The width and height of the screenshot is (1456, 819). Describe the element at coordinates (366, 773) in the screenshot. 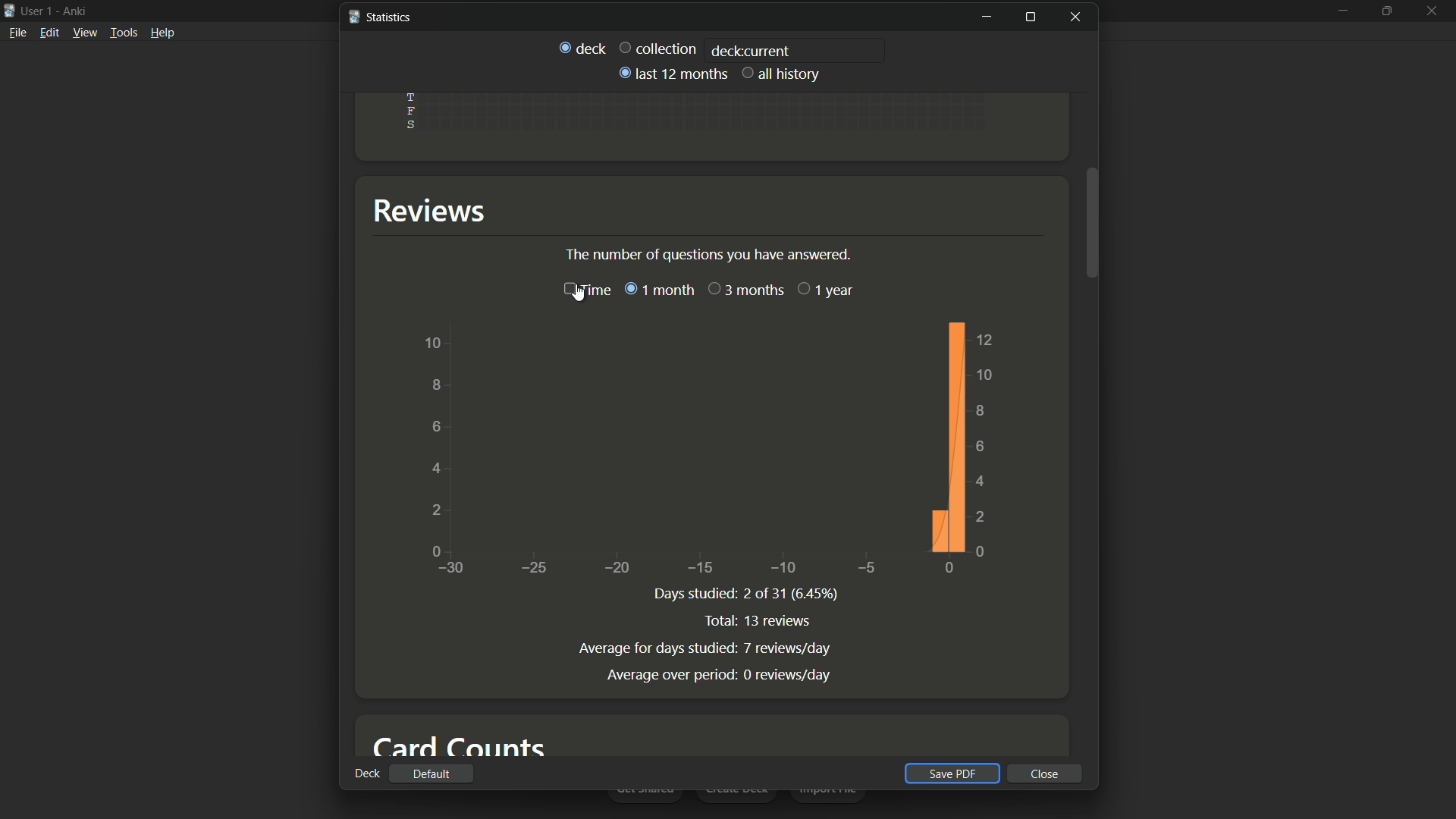

I see `deck` at that location.